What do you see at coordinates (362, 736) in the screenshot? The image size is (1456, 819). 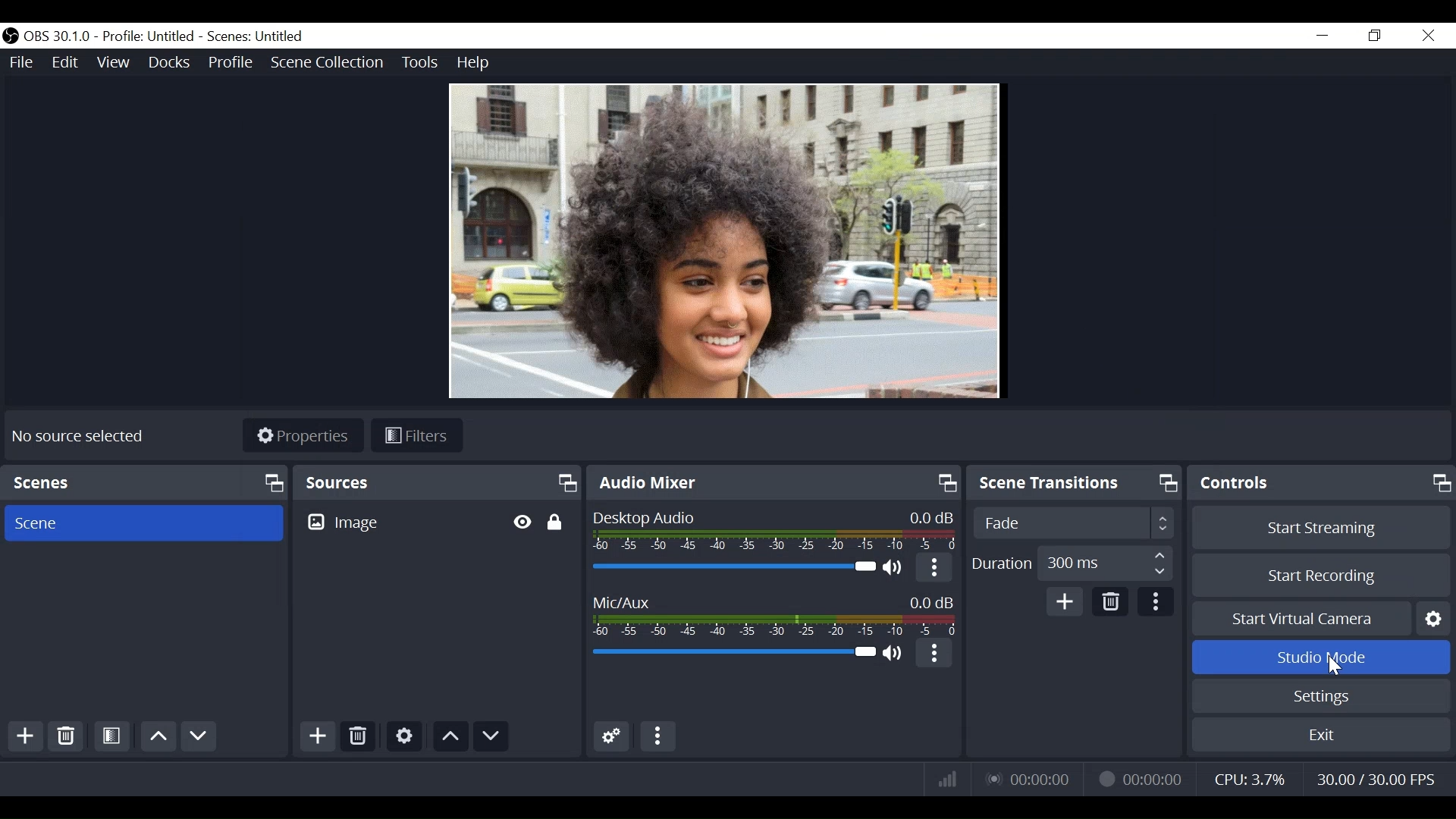 I see `Delete` at bounding box center [362, 736].